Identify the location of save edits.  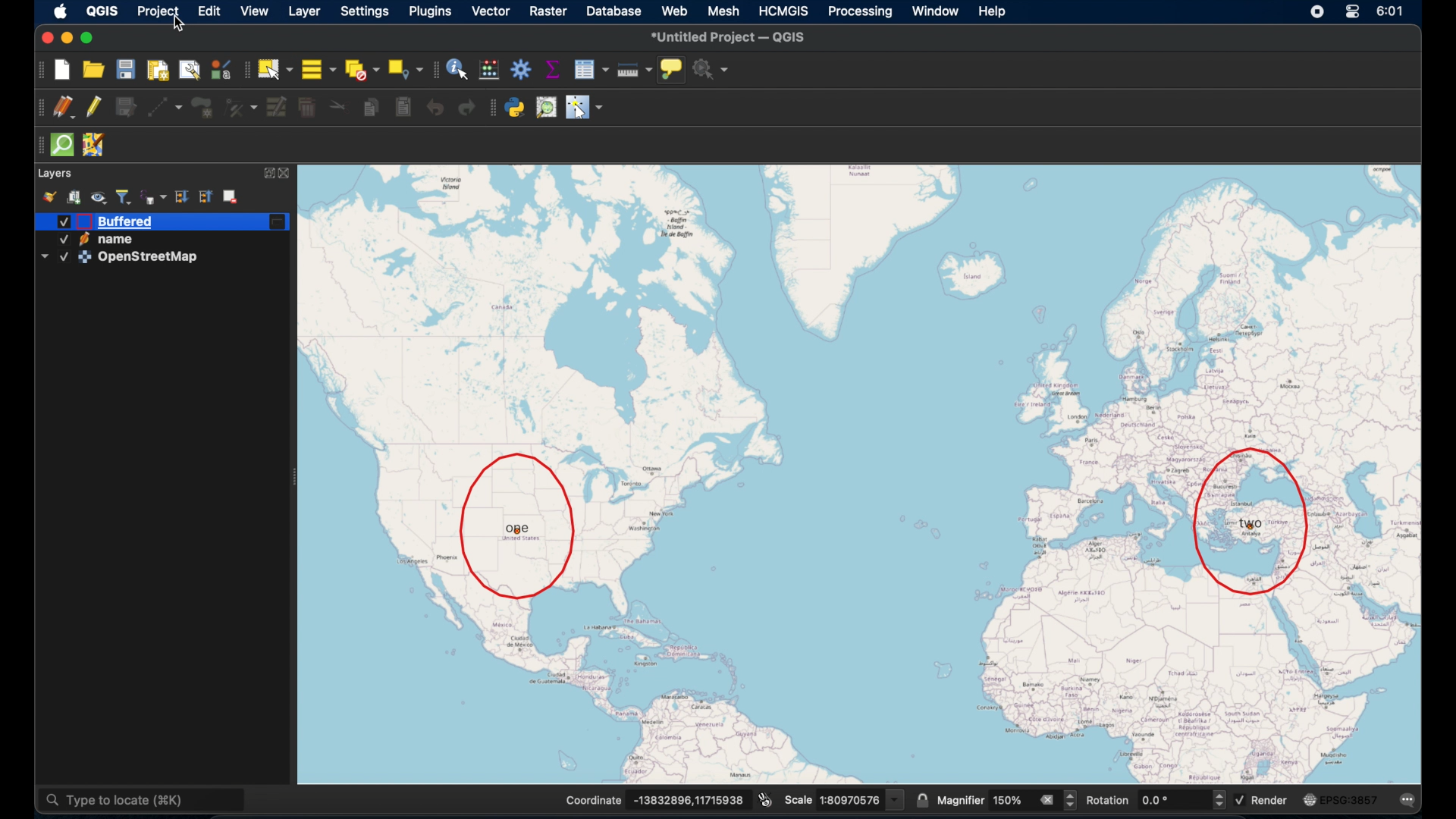
(124, 107).